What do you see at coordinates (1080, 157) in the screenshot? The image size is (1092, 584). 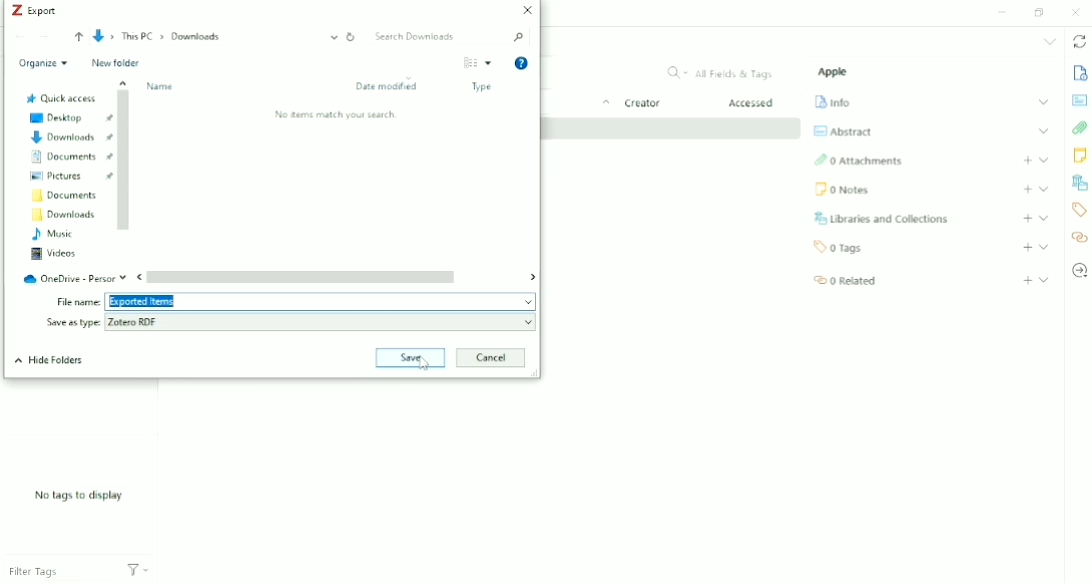 I see `Notes` at bounding box center [1080, 157].